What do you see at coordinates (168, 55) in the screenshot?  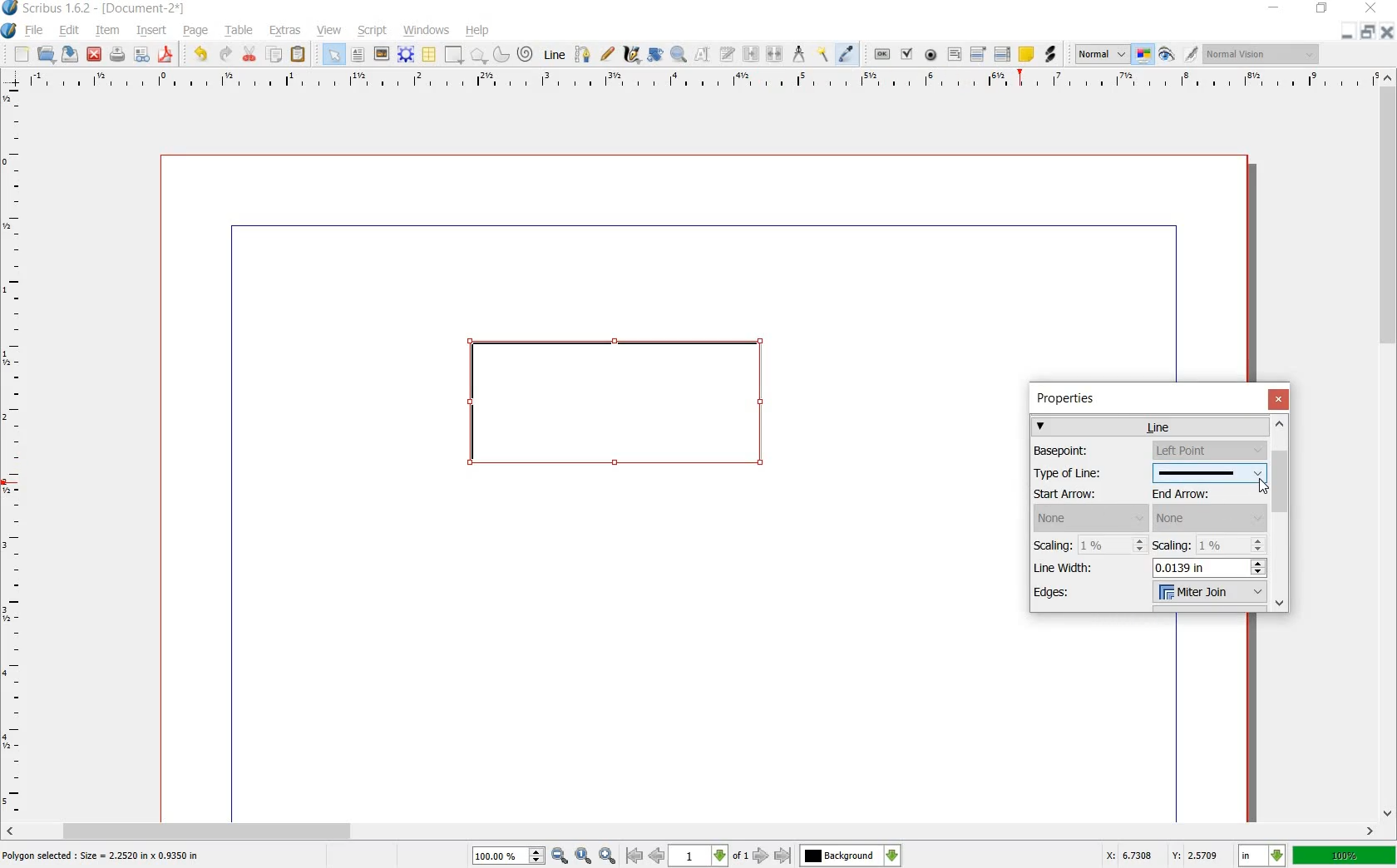 I see `SAVE AS PDF` at bounding box center [168, 55].